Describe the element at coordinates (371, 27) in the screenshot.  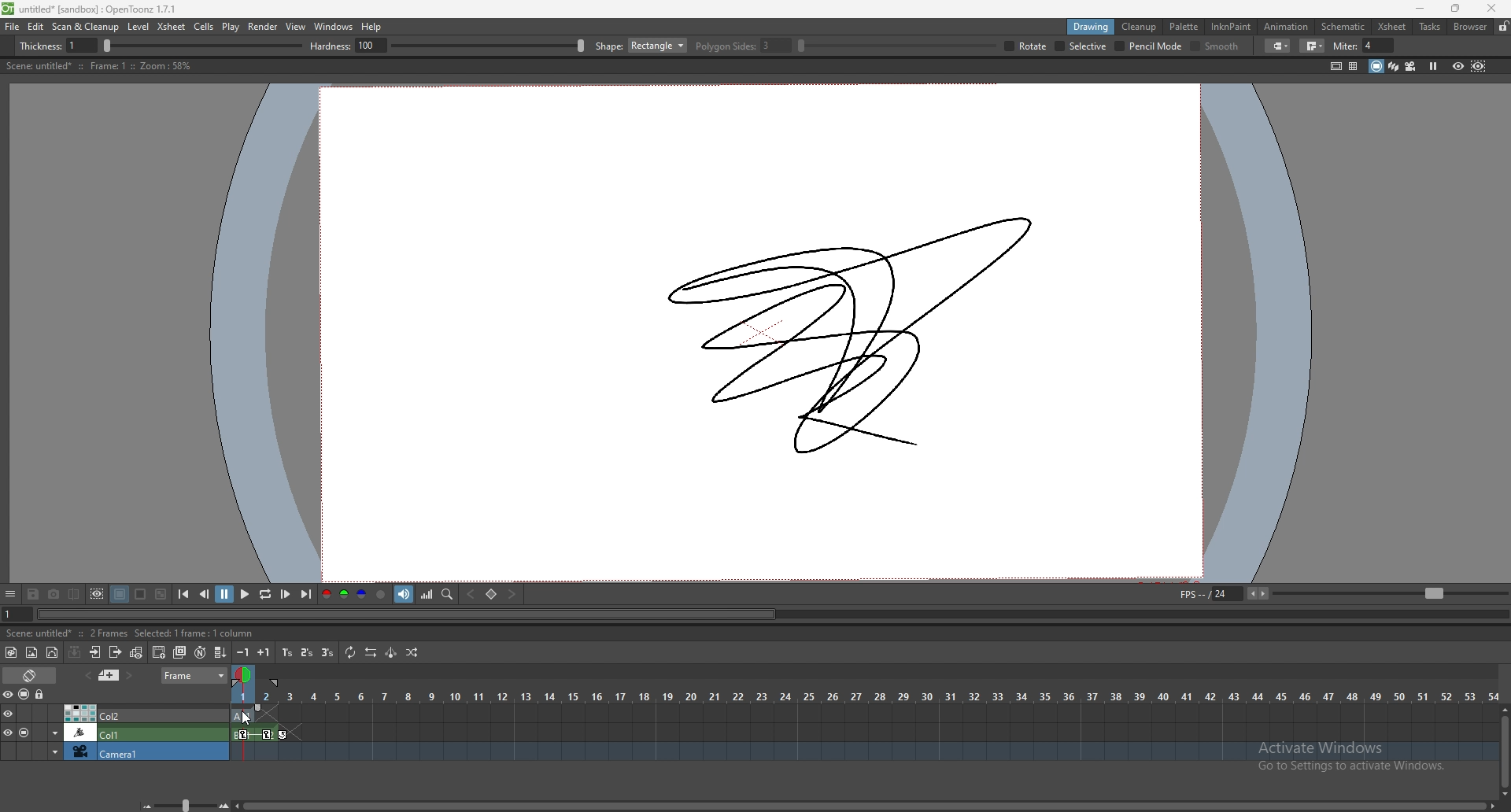
I see `help` at that location.